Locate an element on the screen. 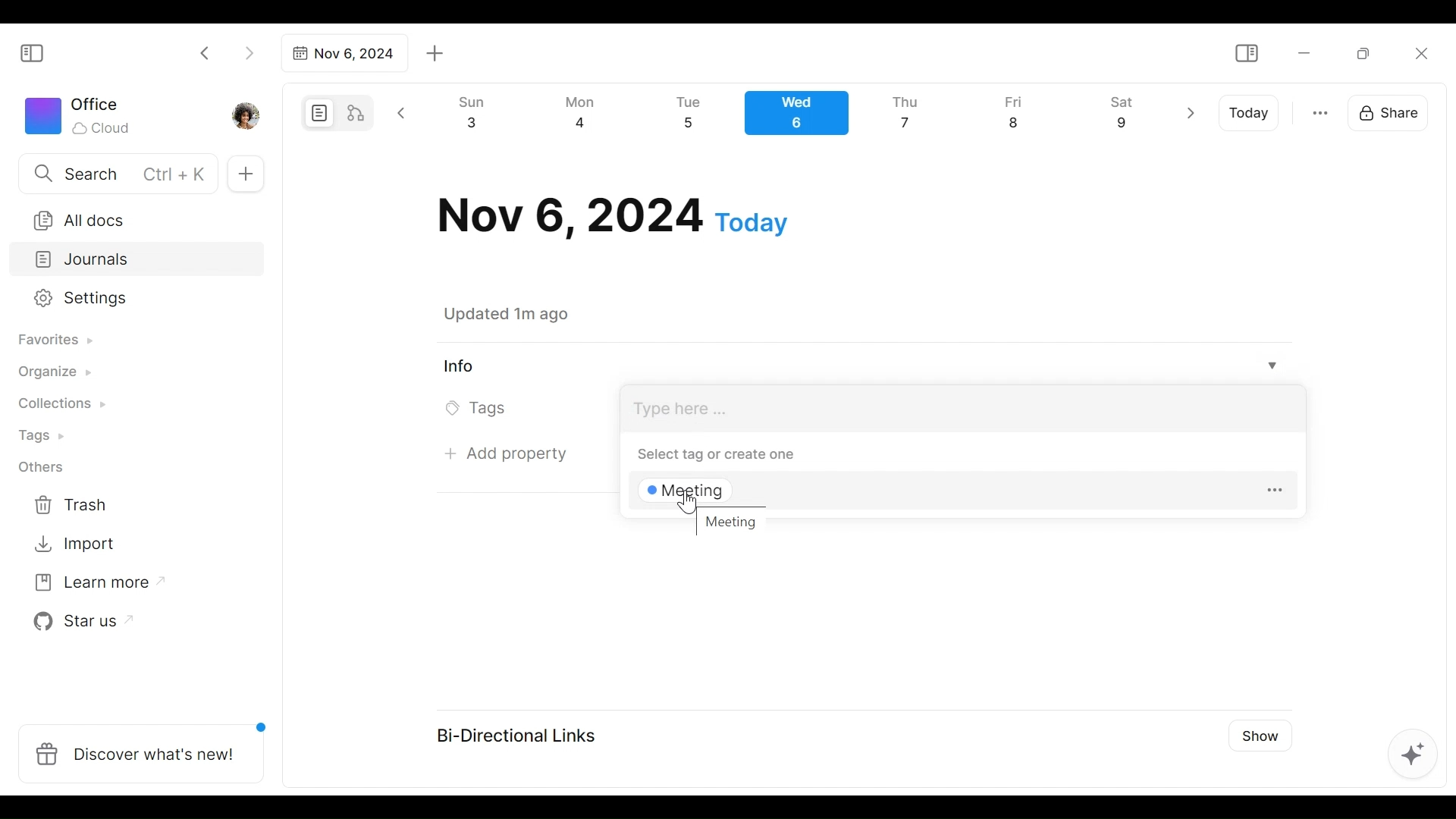 The width and height of the screenshot is (1456, 819). Others is located at coordinates (42, 467).